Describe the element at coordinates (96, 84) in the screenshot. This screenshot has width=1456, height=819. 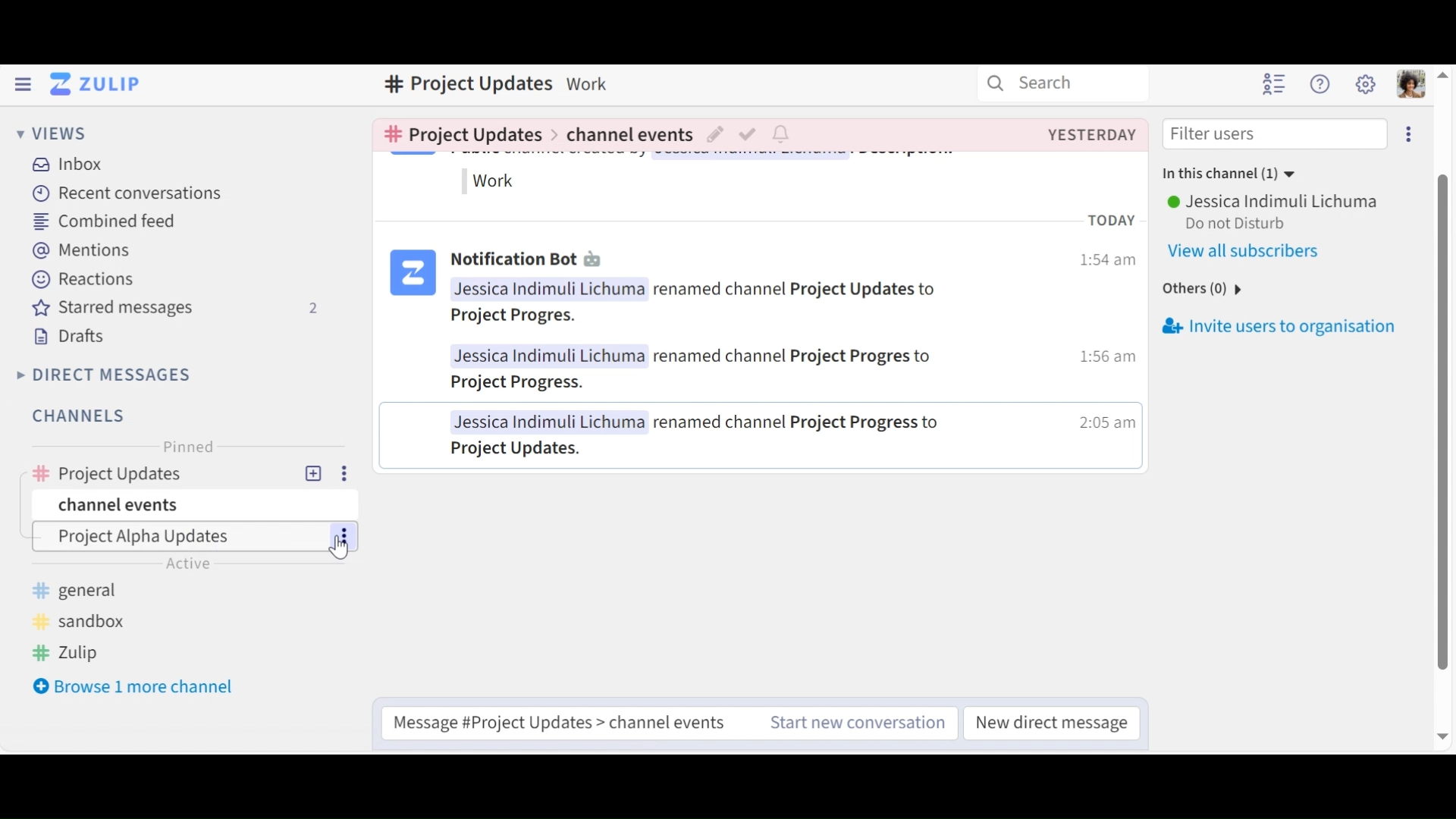
I see `Go to Home View (Inbox)` at that location.